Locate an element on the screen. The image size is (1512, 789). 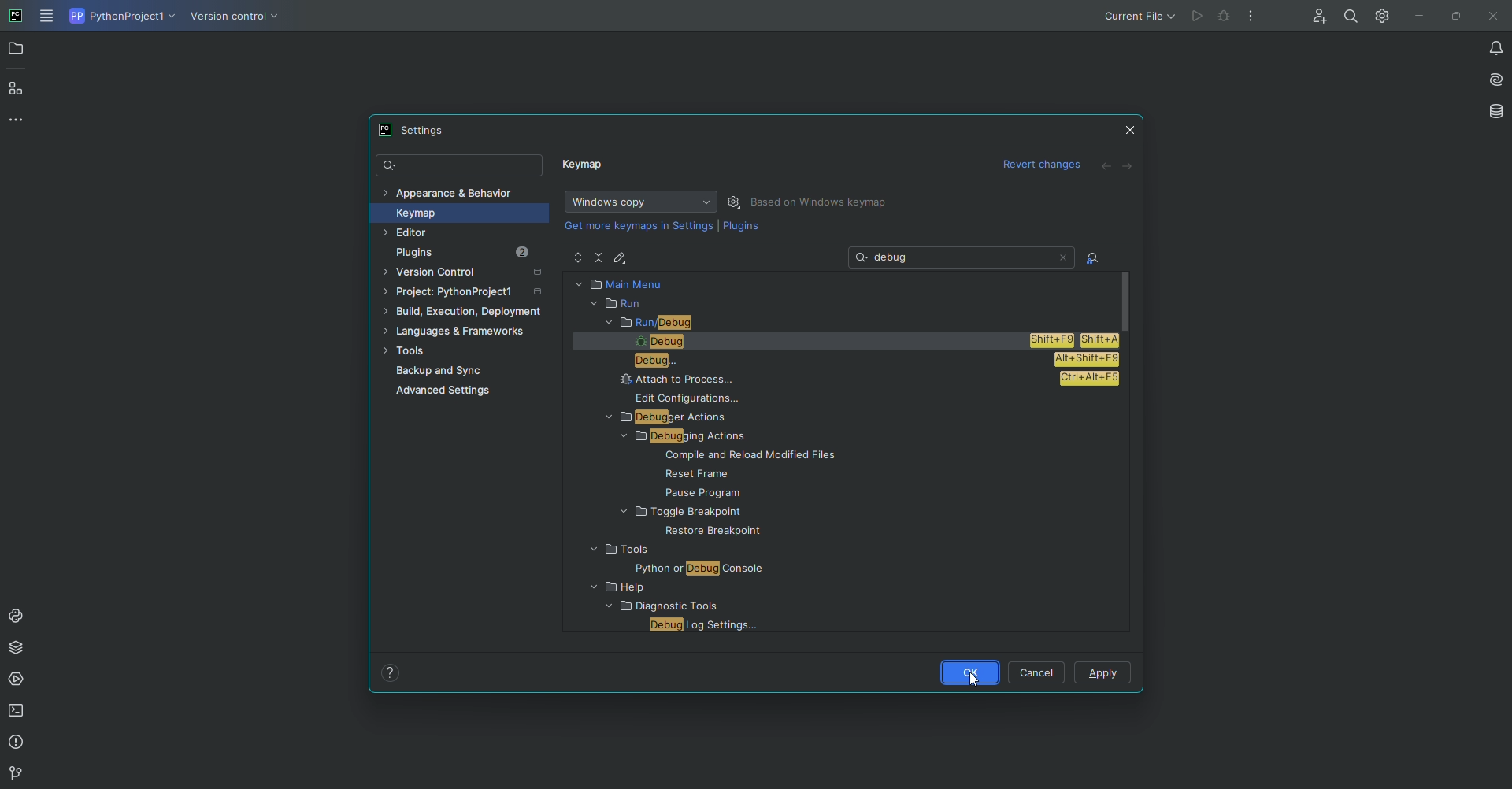
Python project is located at coordinates (120, 17).